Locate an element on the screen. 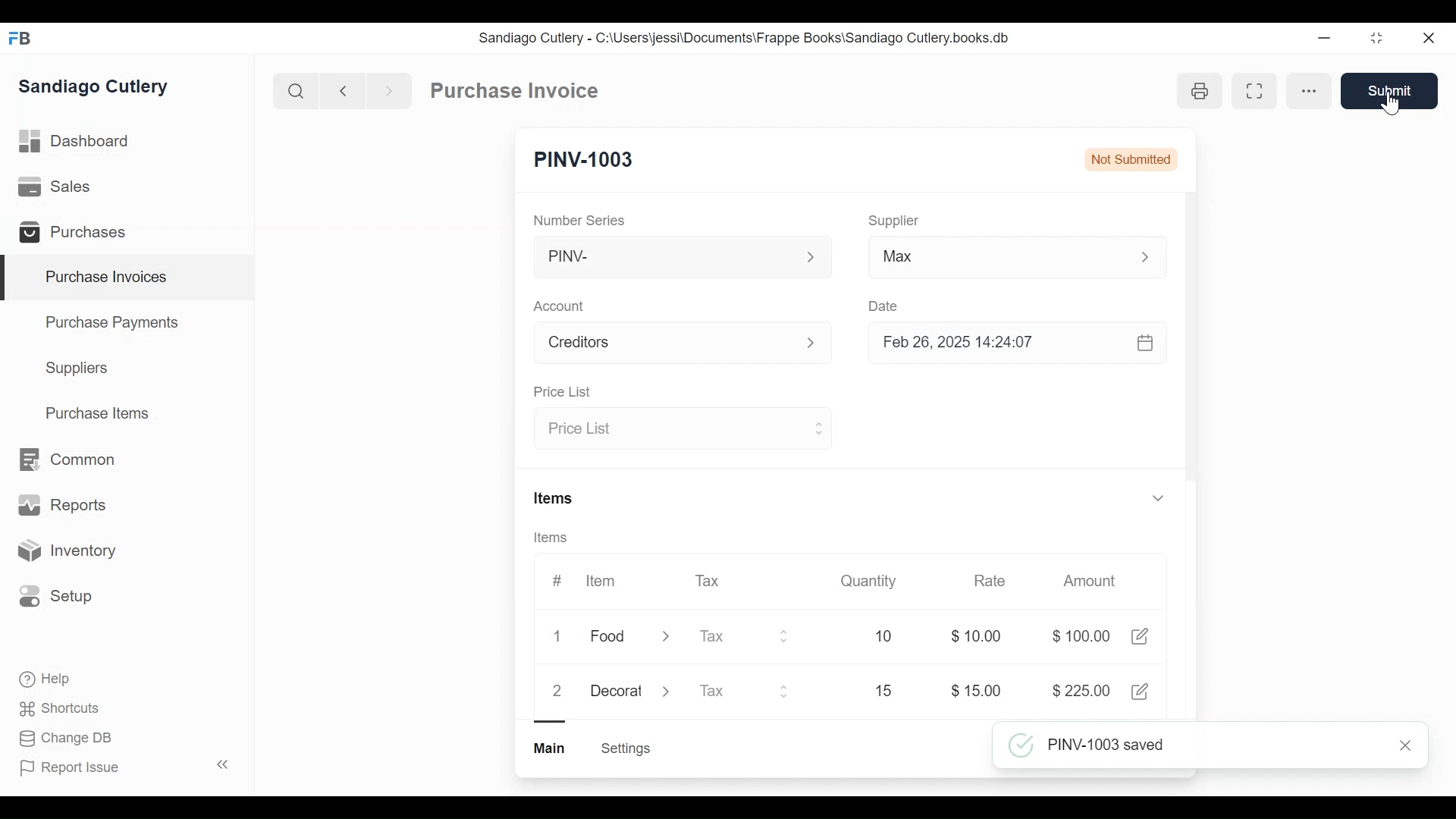 The image size is (1456, 819). Report Issue is located at coordinates (124, 767).